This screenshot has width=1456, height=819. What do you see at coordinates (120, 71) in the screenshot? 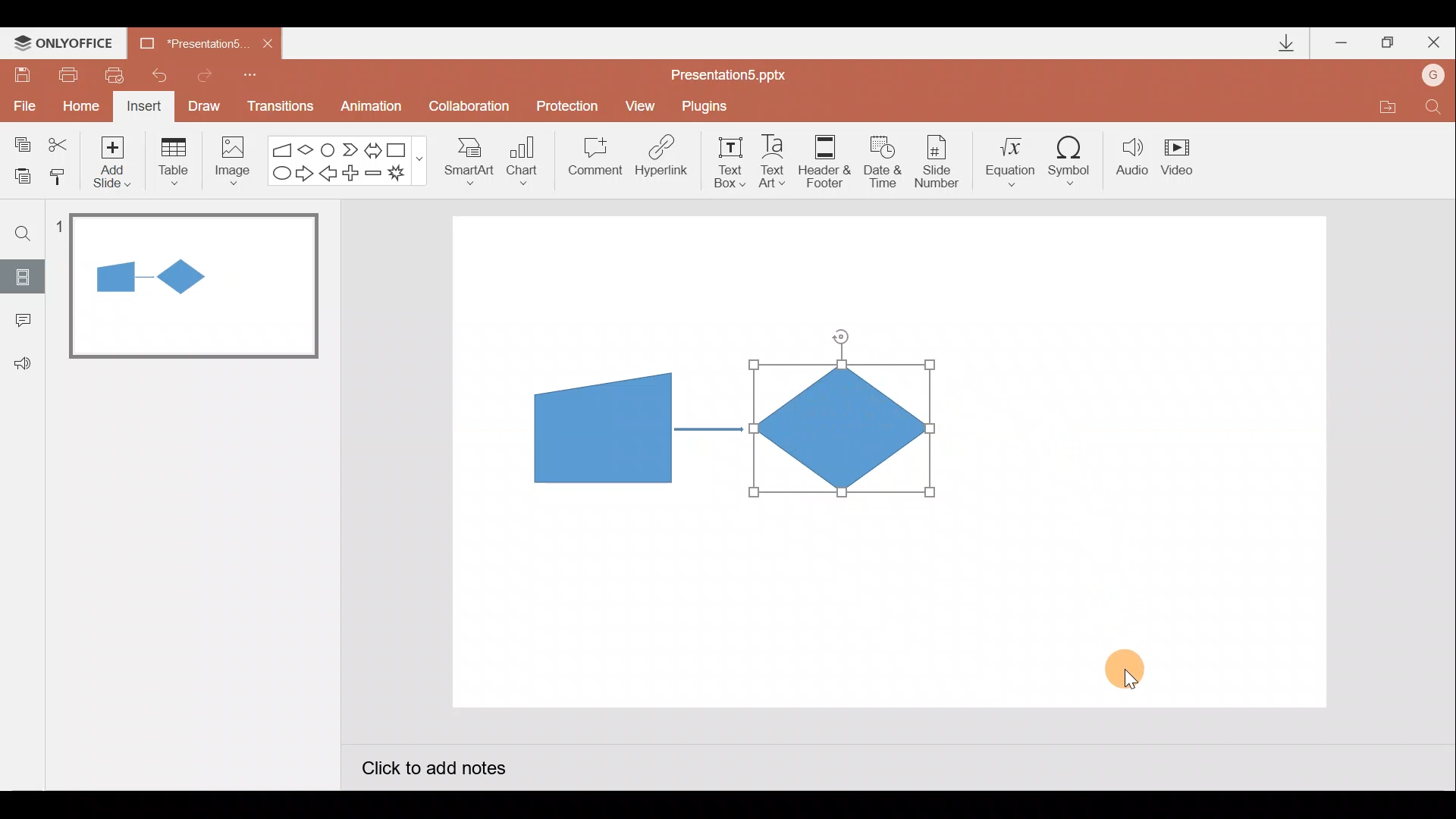
I see `Quick print` at bounding box center [120, 71].